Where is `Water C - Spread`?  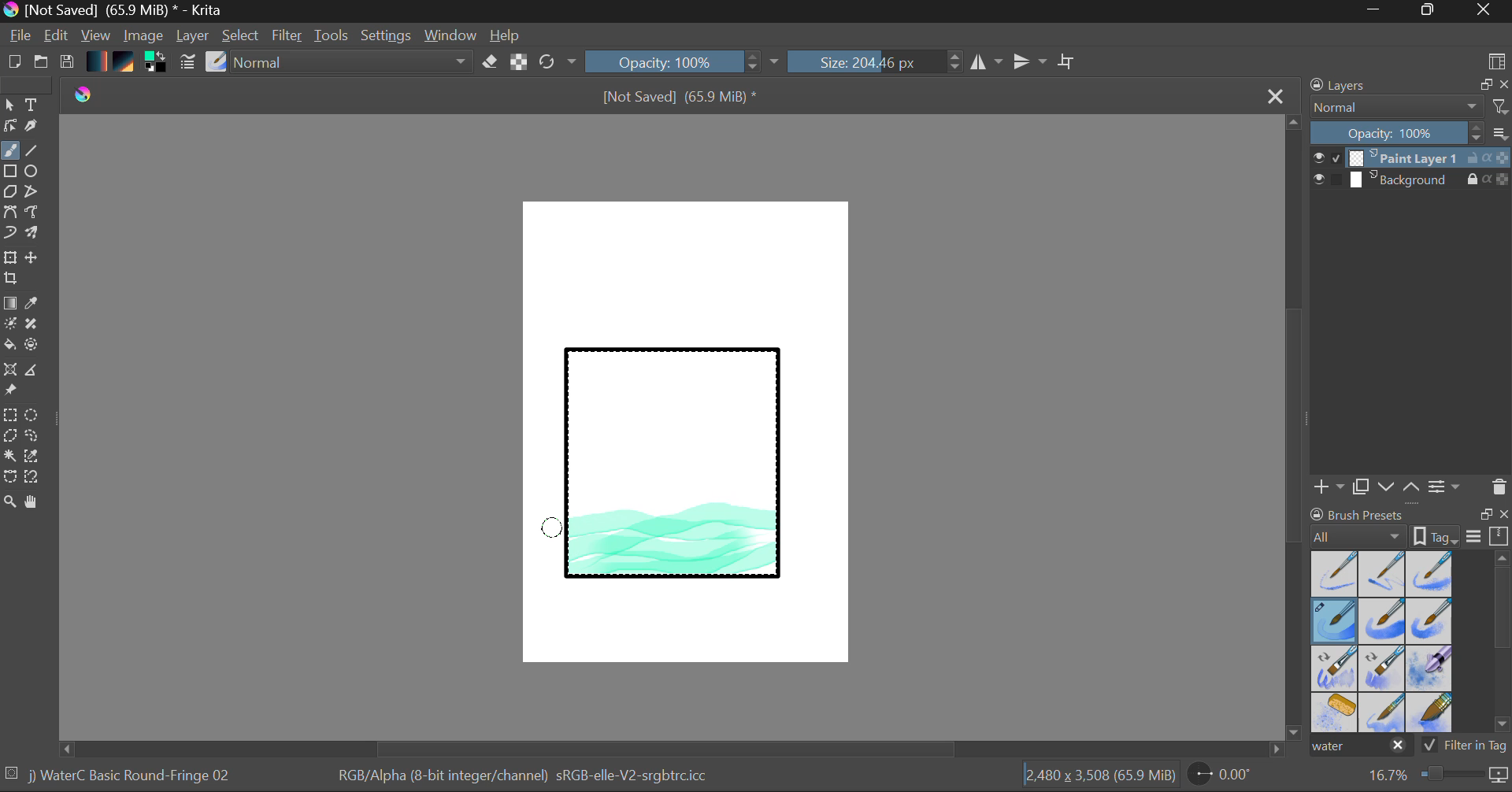 Water C - Spread is located at coordinates (1384, 712).